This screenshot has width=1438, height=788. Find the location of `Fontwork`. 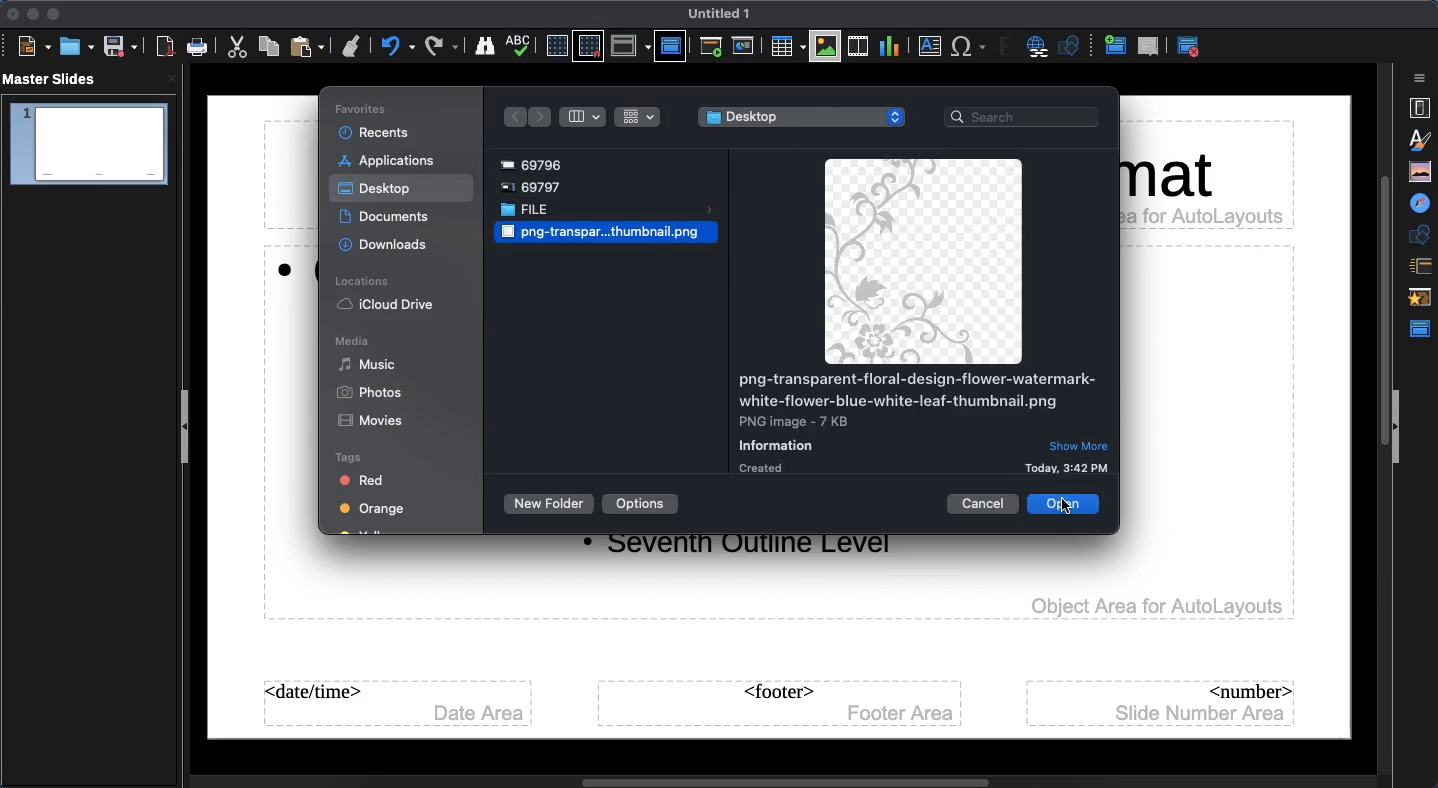

Fontwork is located at coordinates (1006, 49).